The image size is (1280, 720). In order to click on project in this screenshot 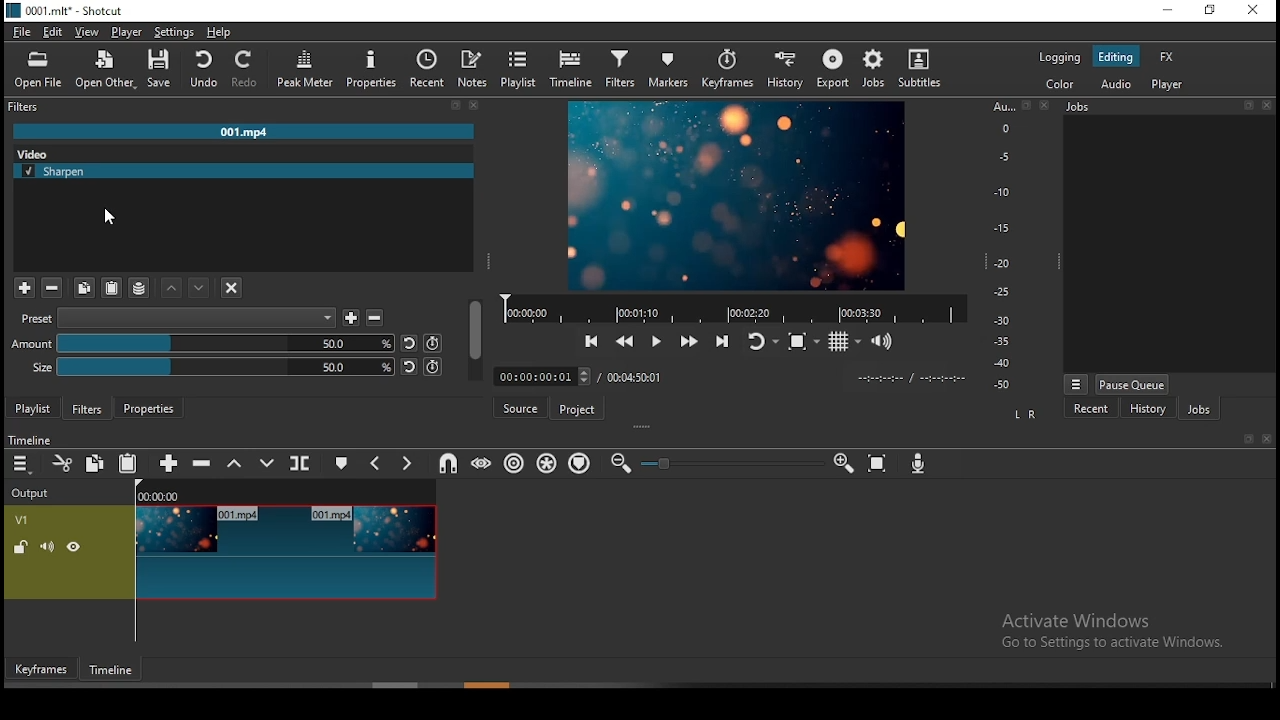, I will do `click(578, 410)`.